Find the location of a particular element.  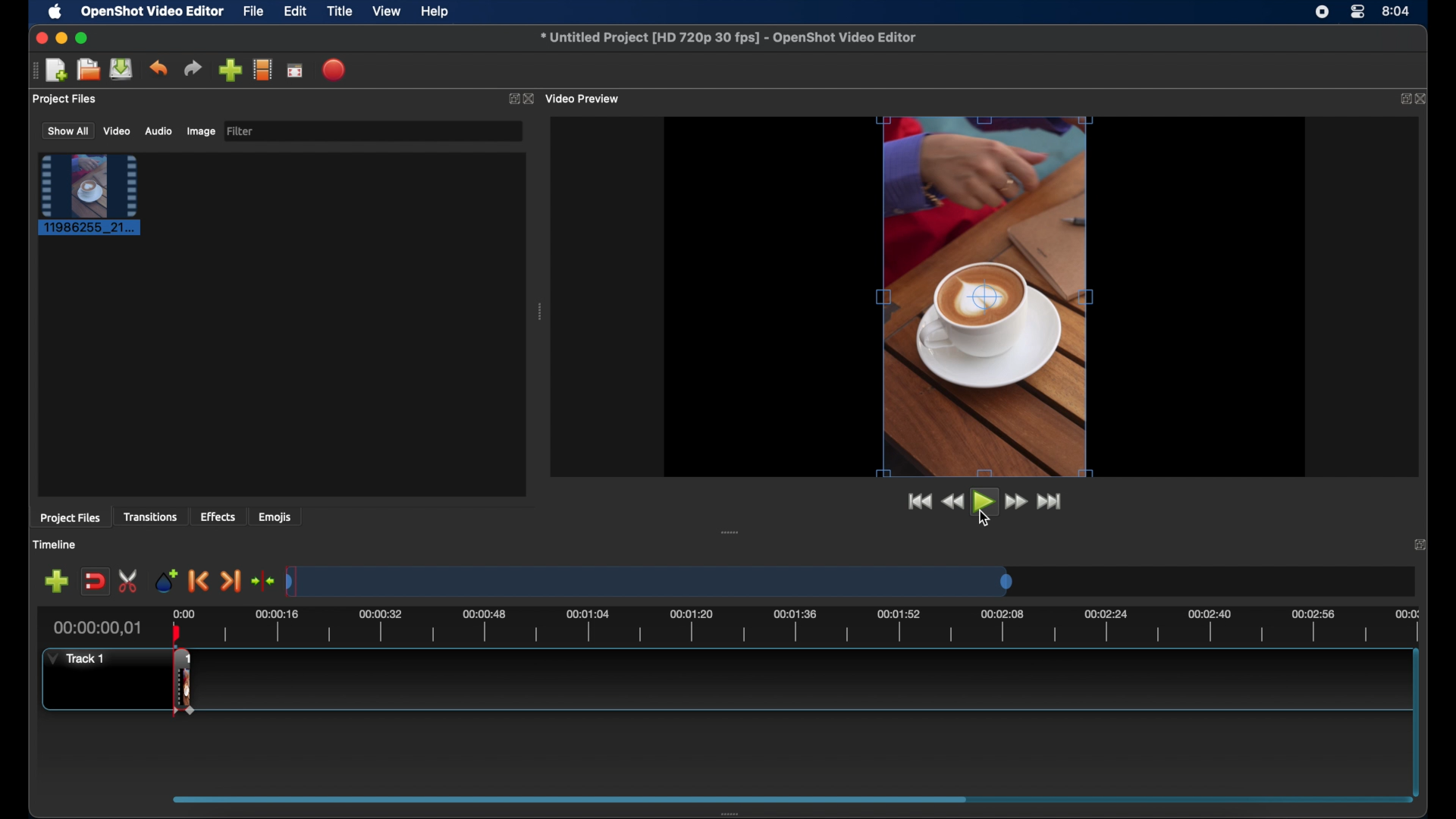

close is located at coordinates (529, 99).